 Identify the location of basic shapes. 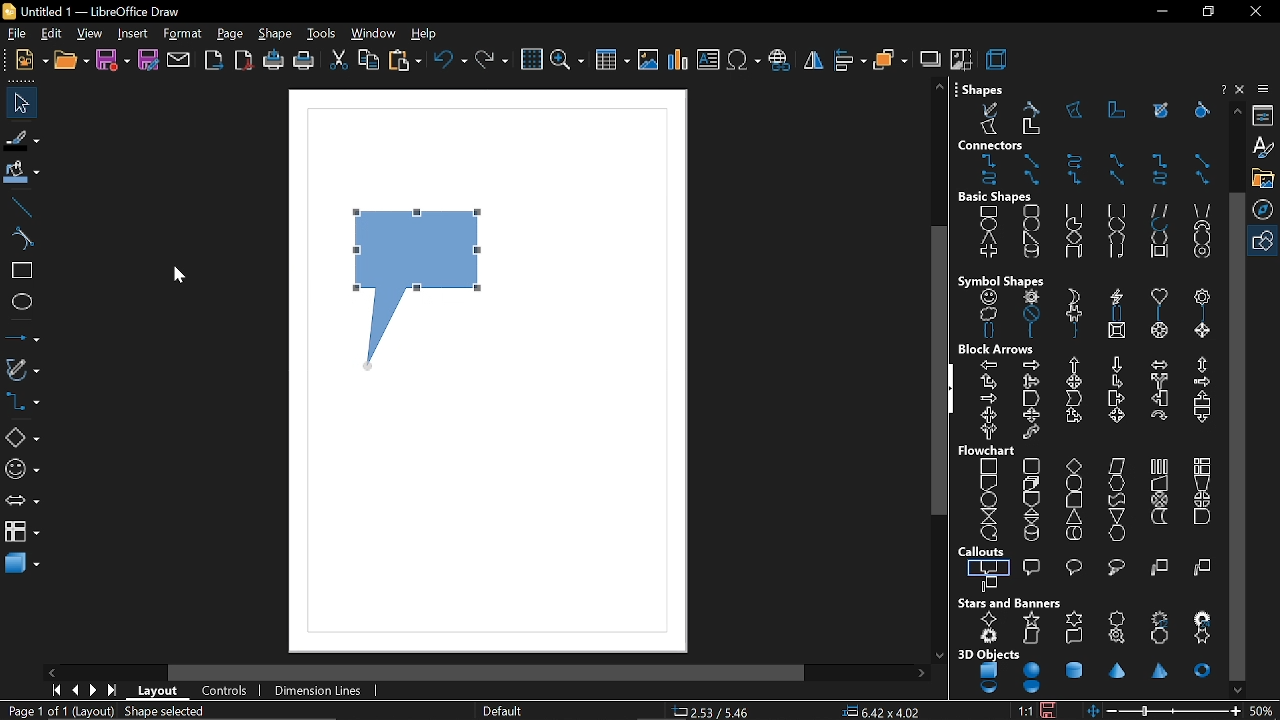
(997, 197).